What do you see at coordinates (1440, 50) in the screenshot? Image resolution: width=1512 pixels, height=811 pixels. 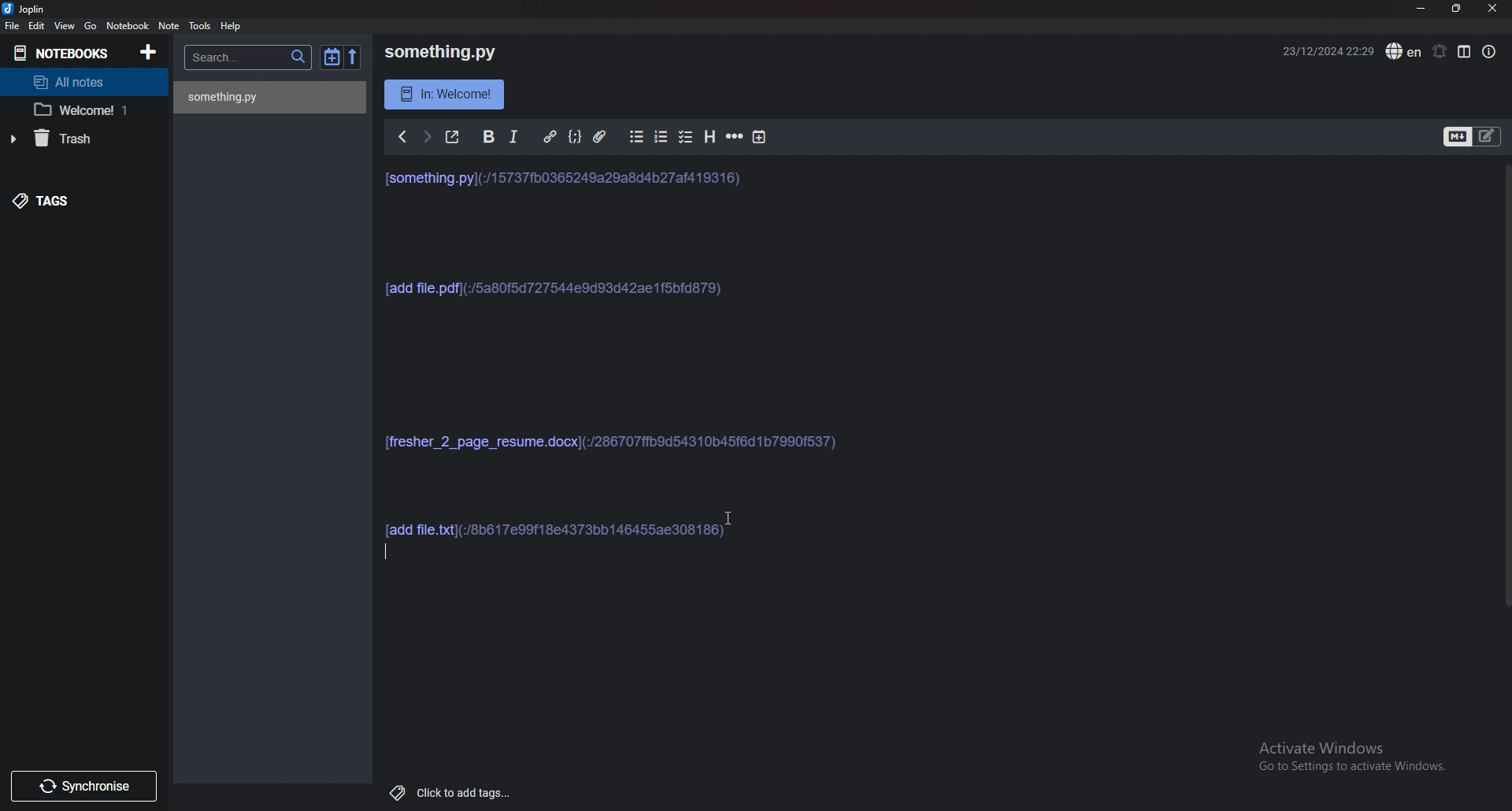 I see `Set alarm` at bounding box center [1440, 50].